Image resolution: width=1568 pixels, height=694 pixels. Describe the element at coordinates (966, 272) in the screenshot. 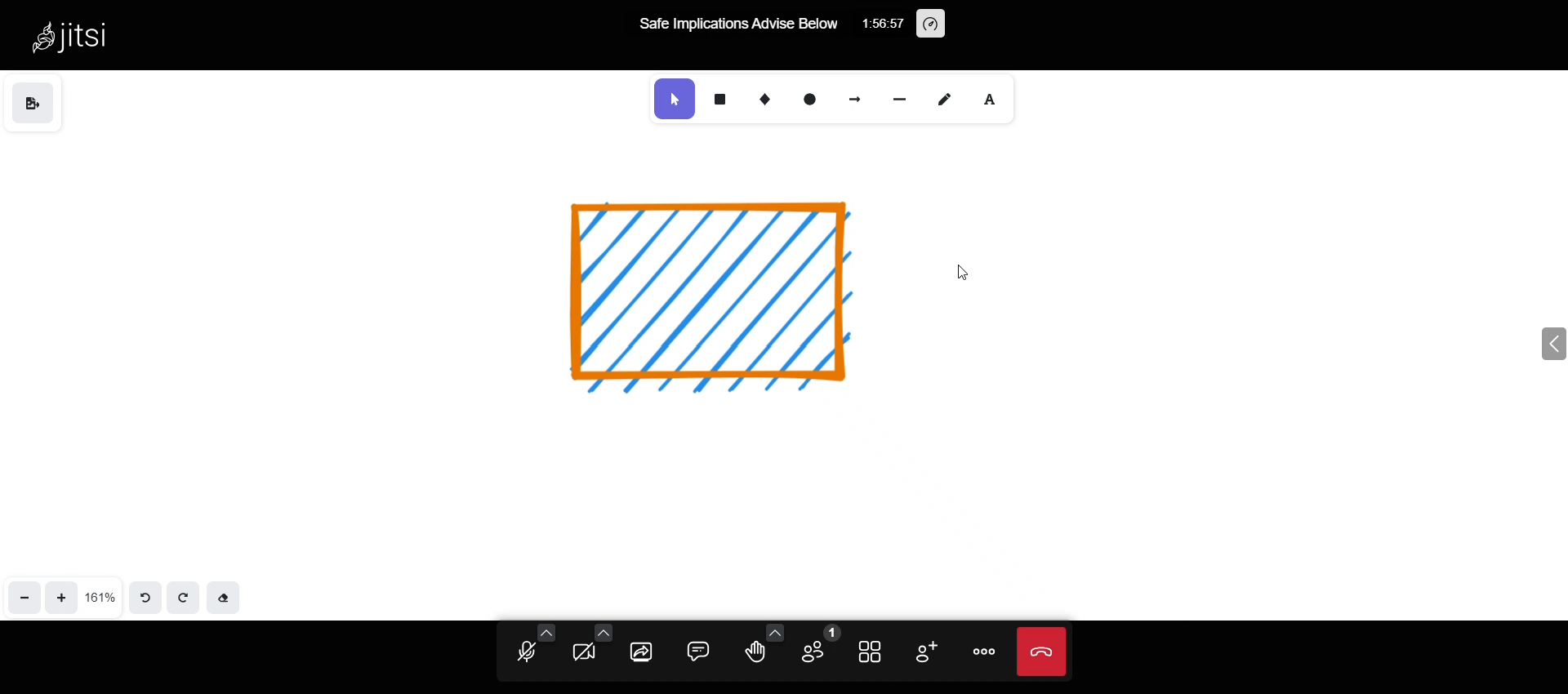

I see `cursor` at that location.